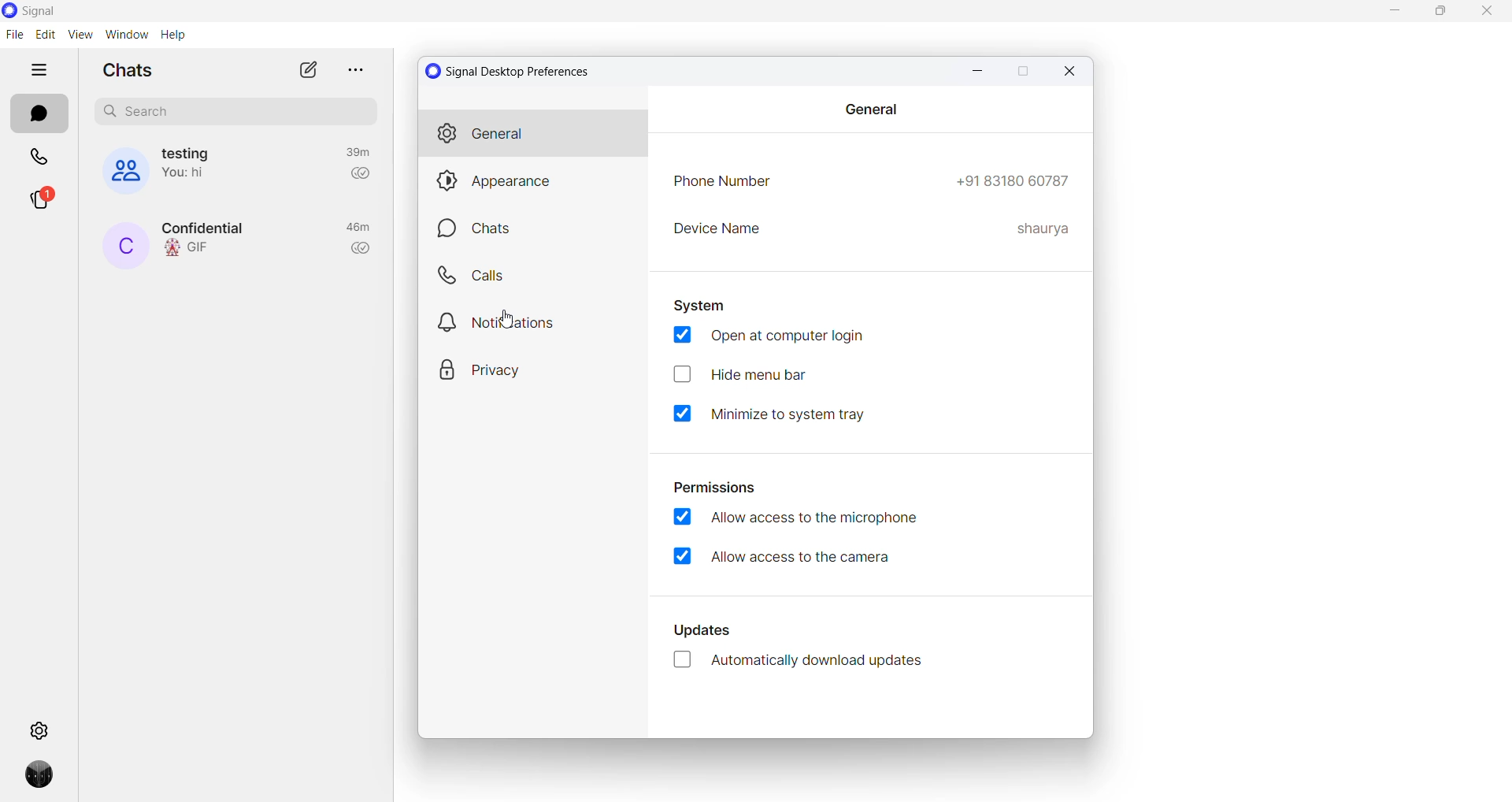 The image size is (1512, 802). What do you see at coordinates (124, 247) in the screenshot?
I see `contact name` at bounding box center [124, 247].